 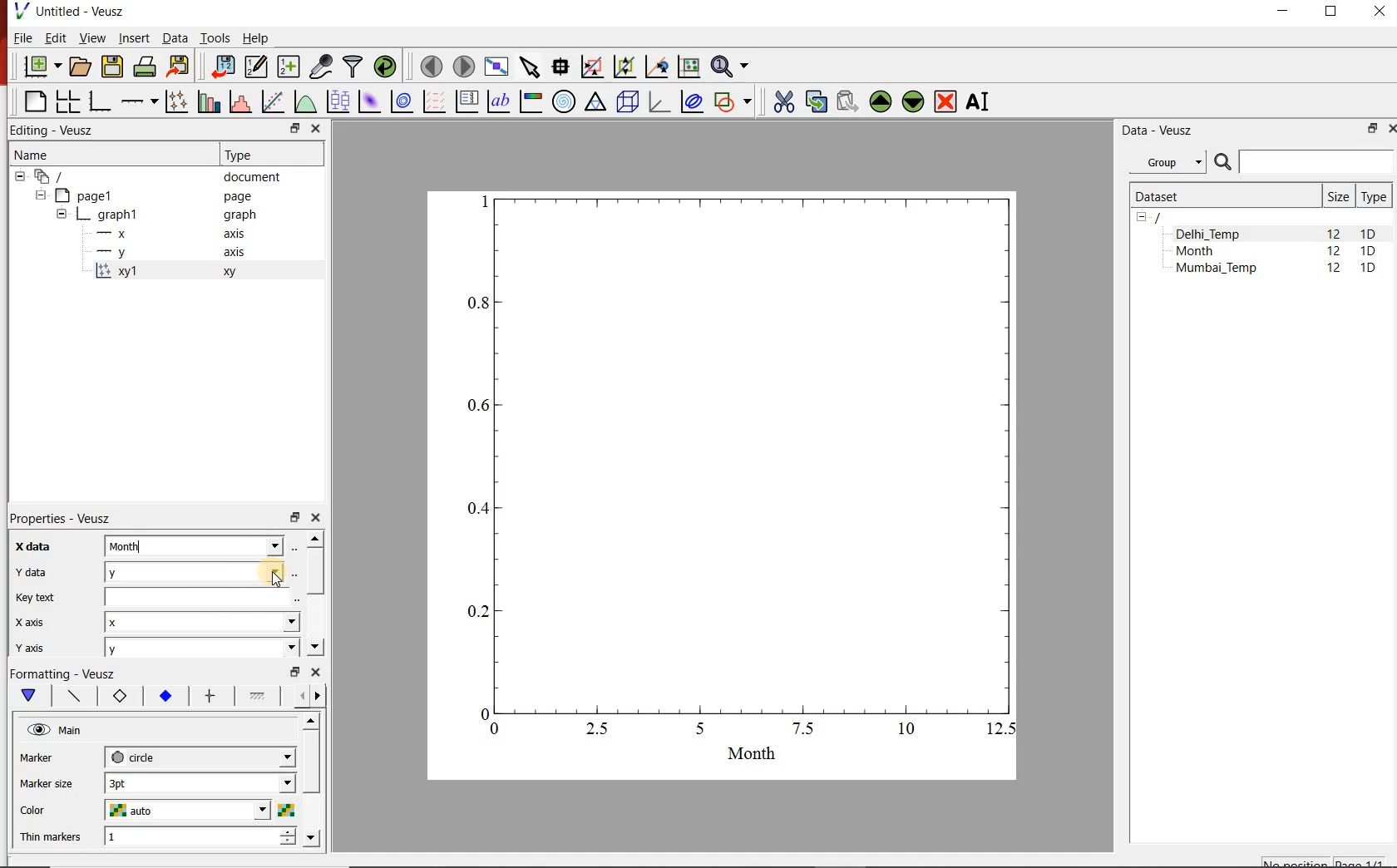 What do you see at coordinates (289, 67) in the screenshot?
I see `create new datasets using available options` at bounding box center [289, 67].